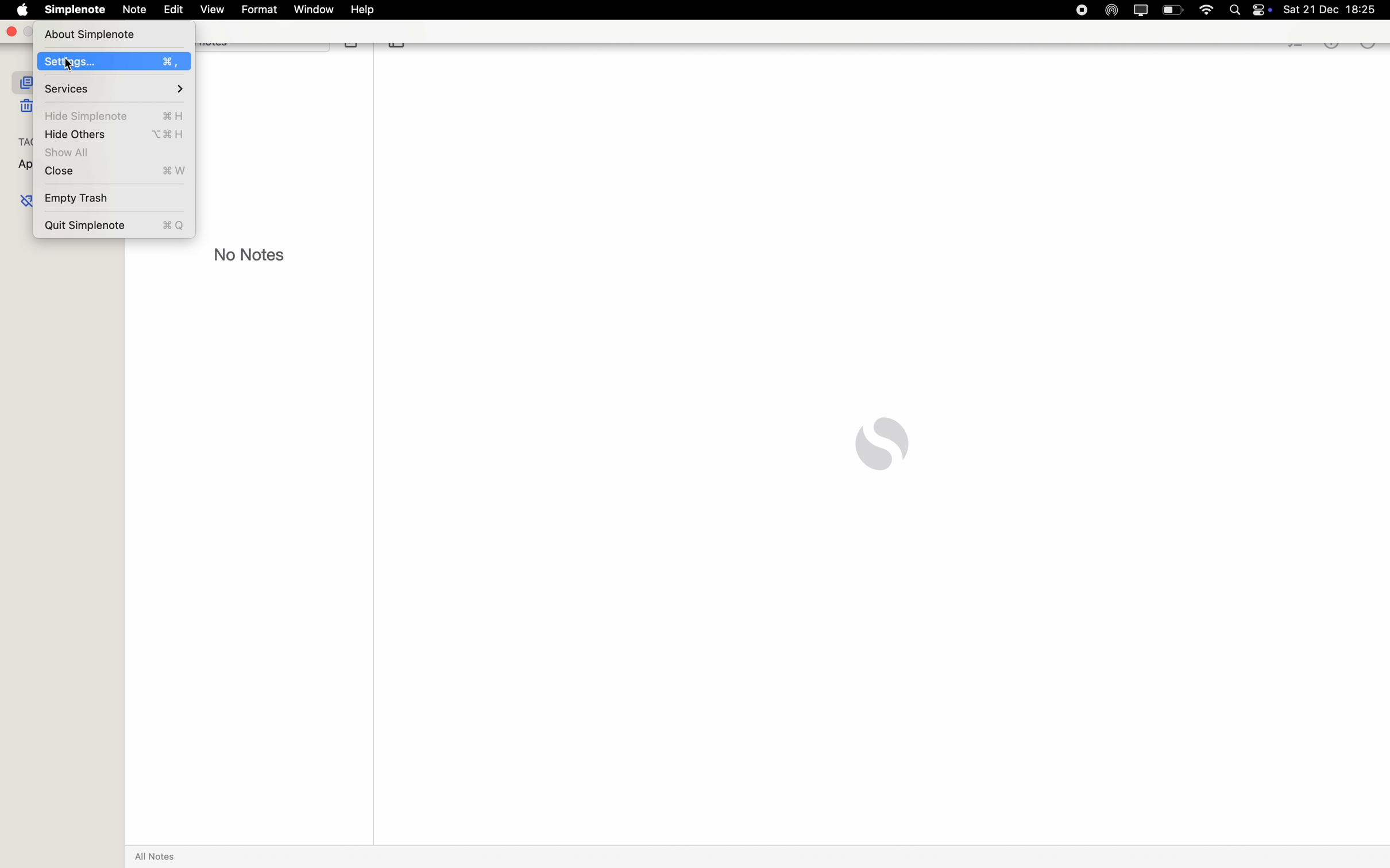 This screenshot has width=1390, height=868. I want to click on all notes, so click(22, 82).